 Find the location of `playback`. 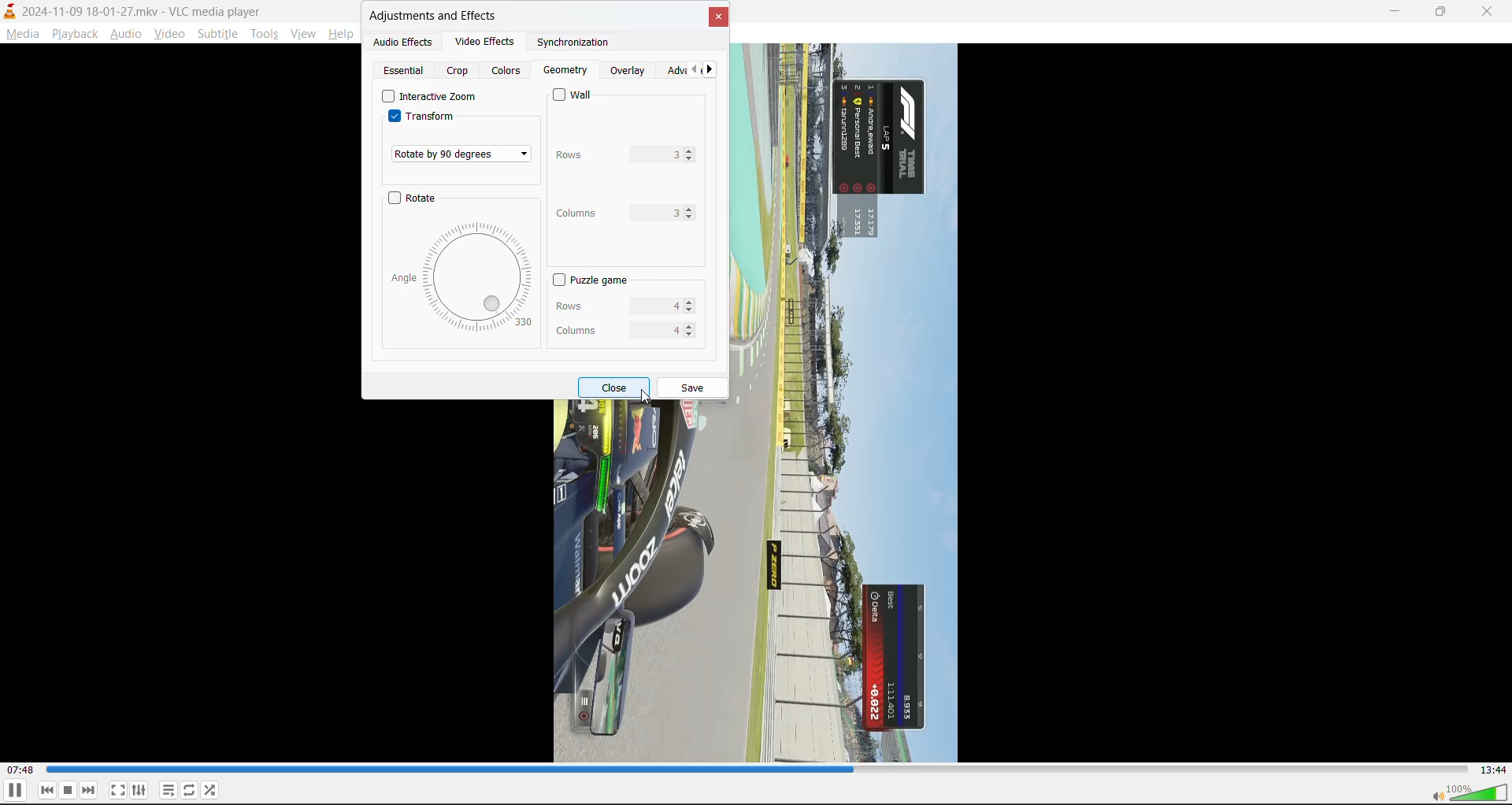

playback is located at coordinates (74, 32).